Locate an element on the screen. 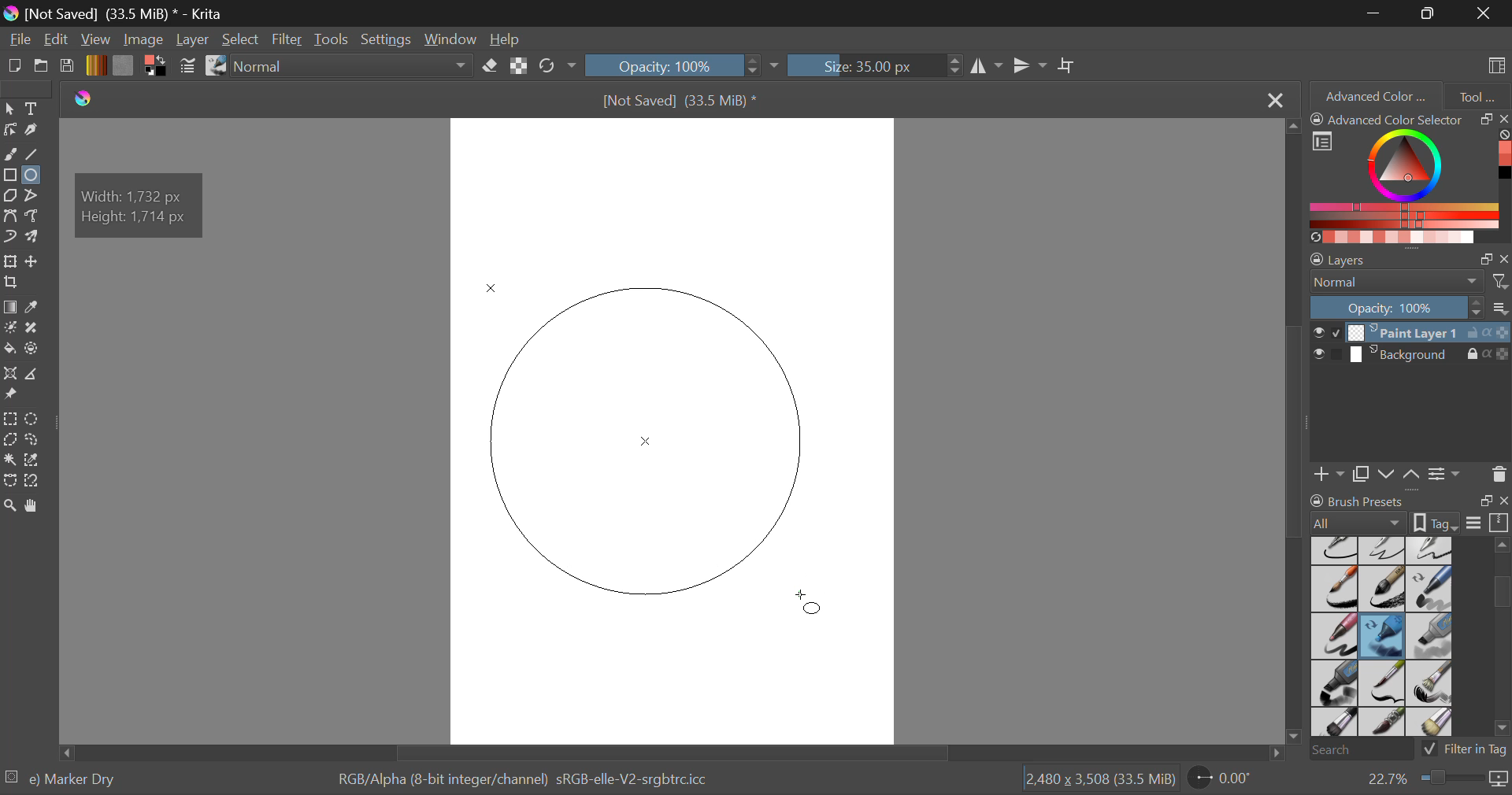 The width and height of the screenshot is (1512, 795). Refresh is located at coordinates (551, 67).